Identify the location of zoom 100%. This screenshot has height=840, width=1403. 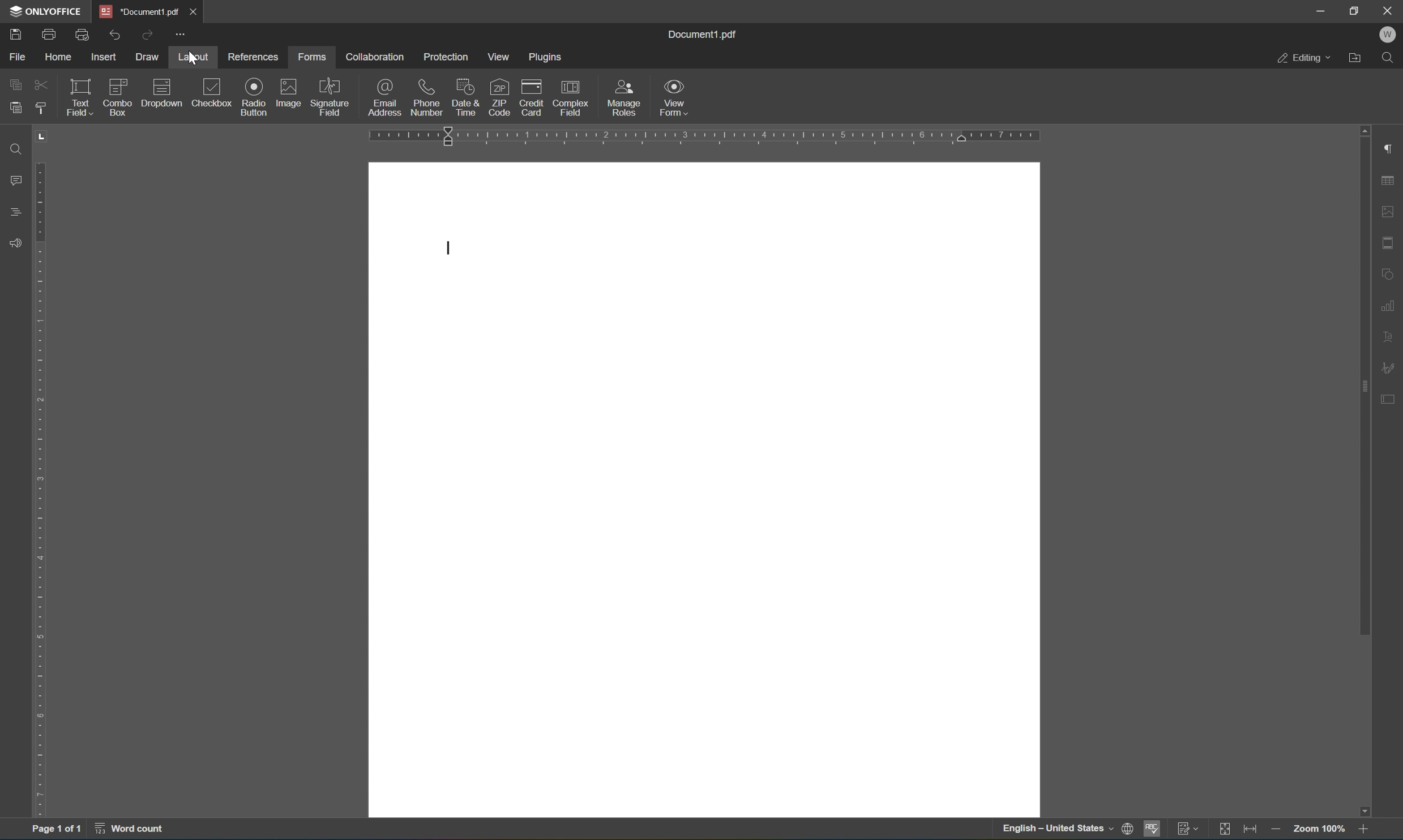
(1316, 830).